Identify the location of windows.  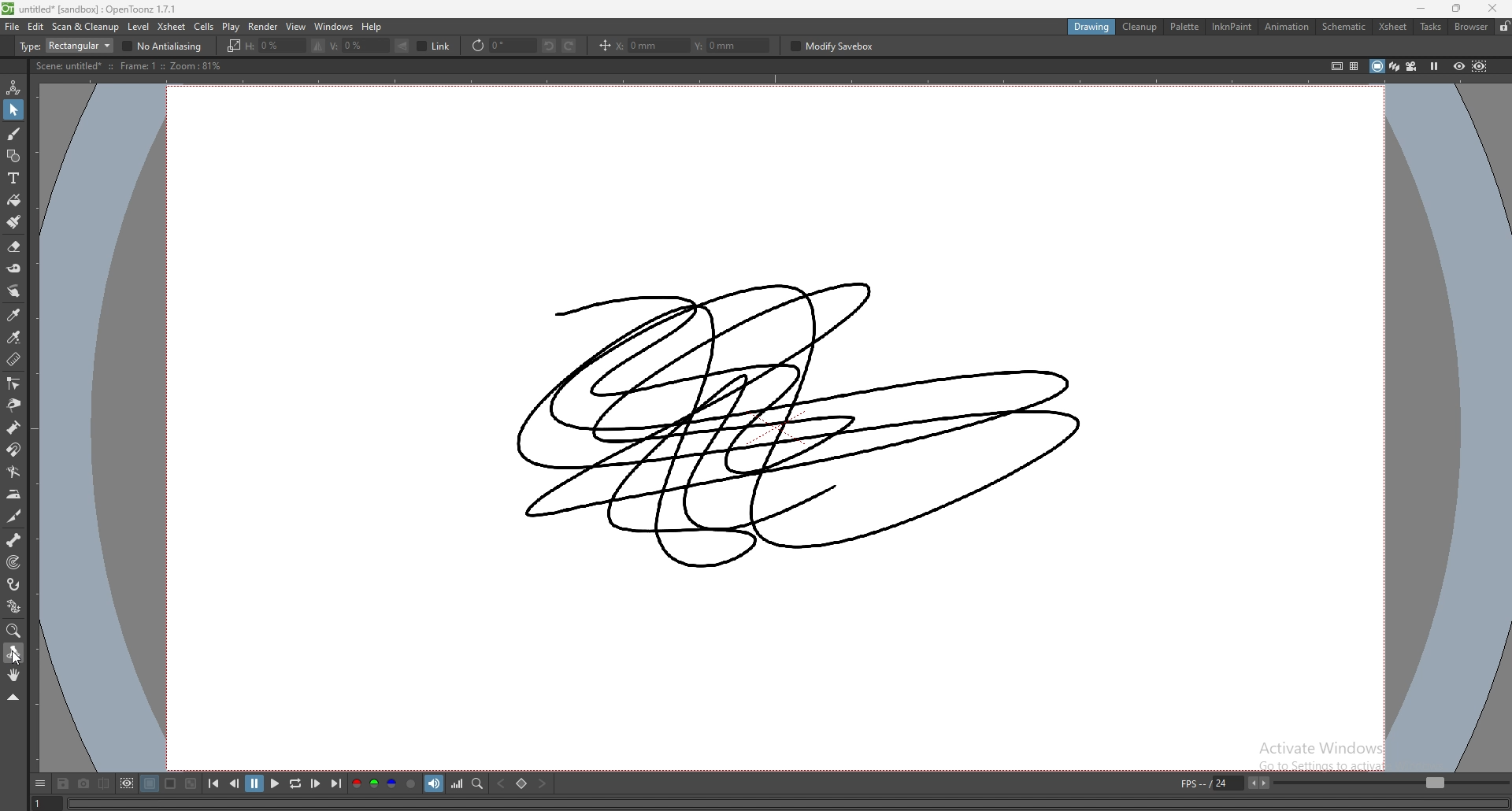
(333, 26).